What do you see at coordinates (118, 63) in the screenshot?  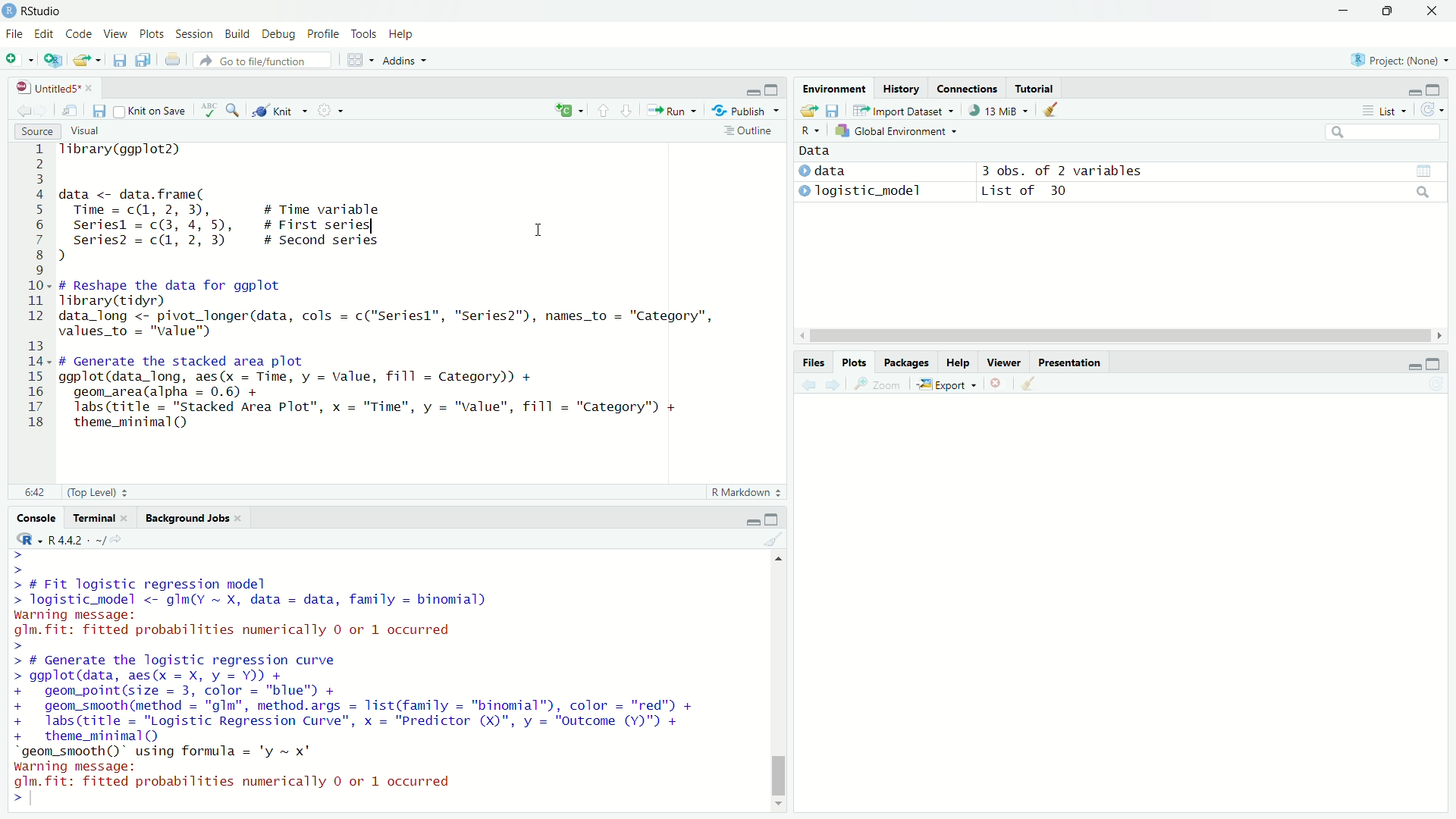 I see `save` at bounding box center [118, 63].